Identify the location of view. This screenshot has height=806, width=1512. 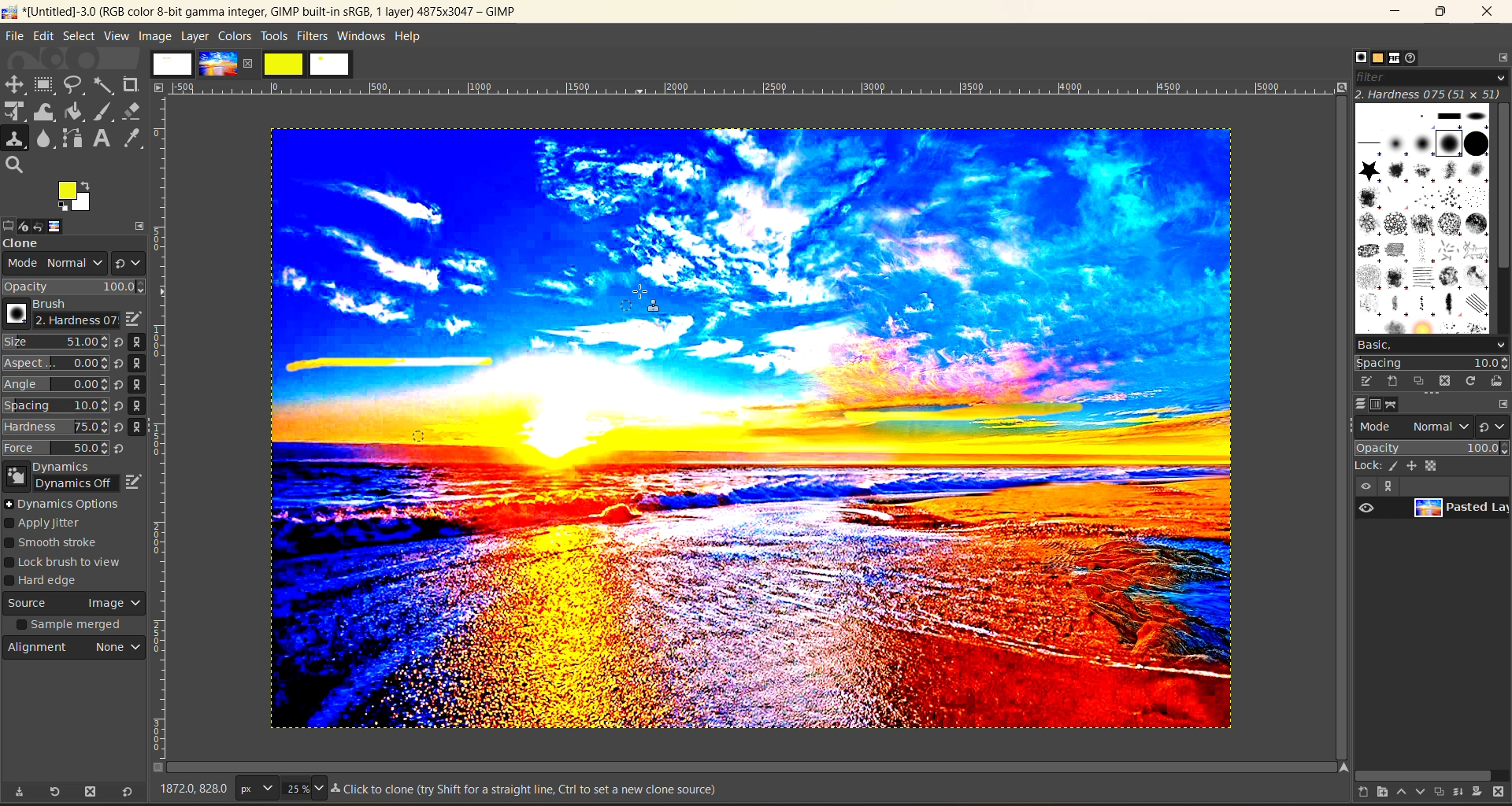
(1364, 486).